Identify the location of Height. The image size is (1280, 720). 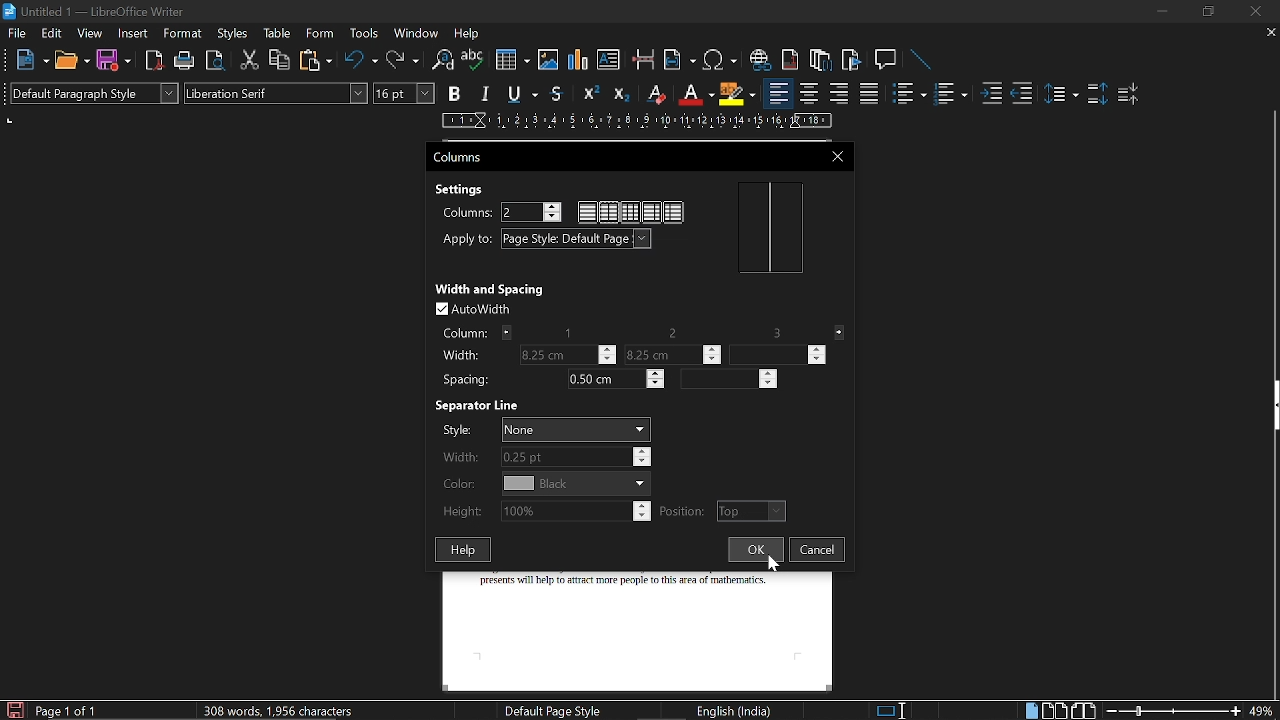
(546, 511).